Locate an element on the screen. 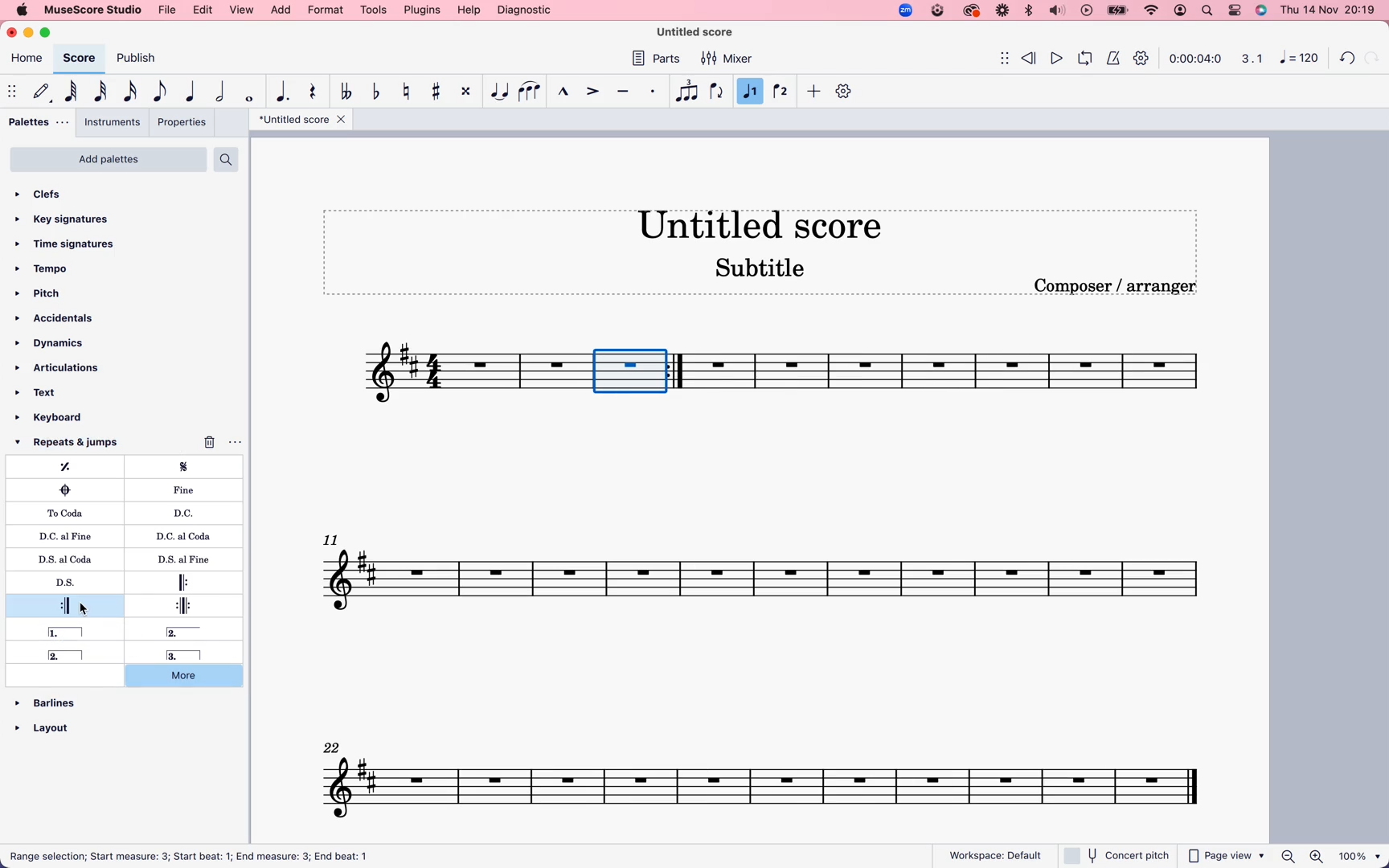 This screenshot has height=868, width=1389. settings is located at coordinates (1235, 10).